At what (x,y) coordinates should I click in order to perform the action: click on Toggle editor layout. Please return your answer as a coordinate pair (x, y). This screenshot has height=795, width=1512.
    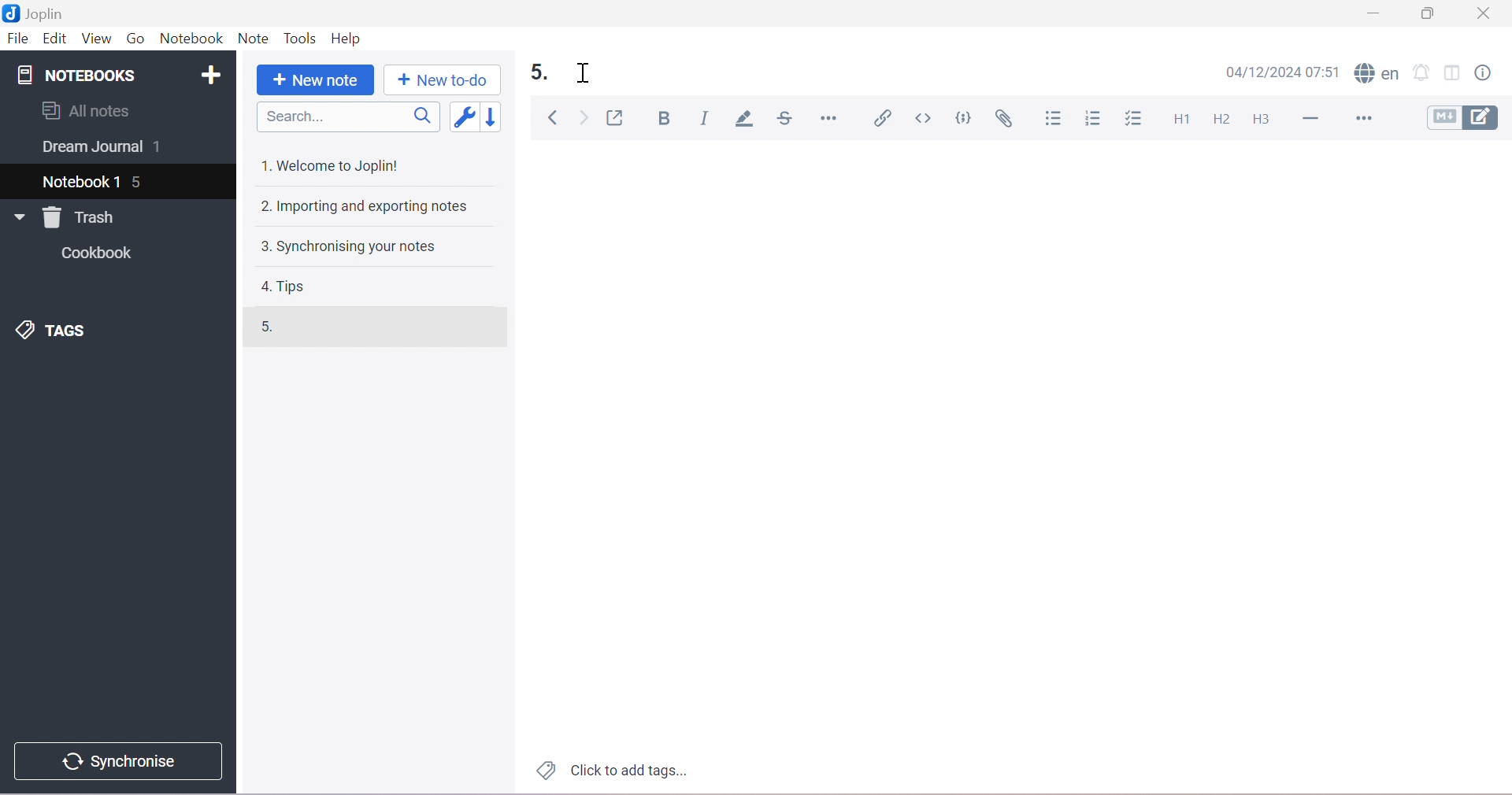
    Looking at the image, I should click on (1455, 72).